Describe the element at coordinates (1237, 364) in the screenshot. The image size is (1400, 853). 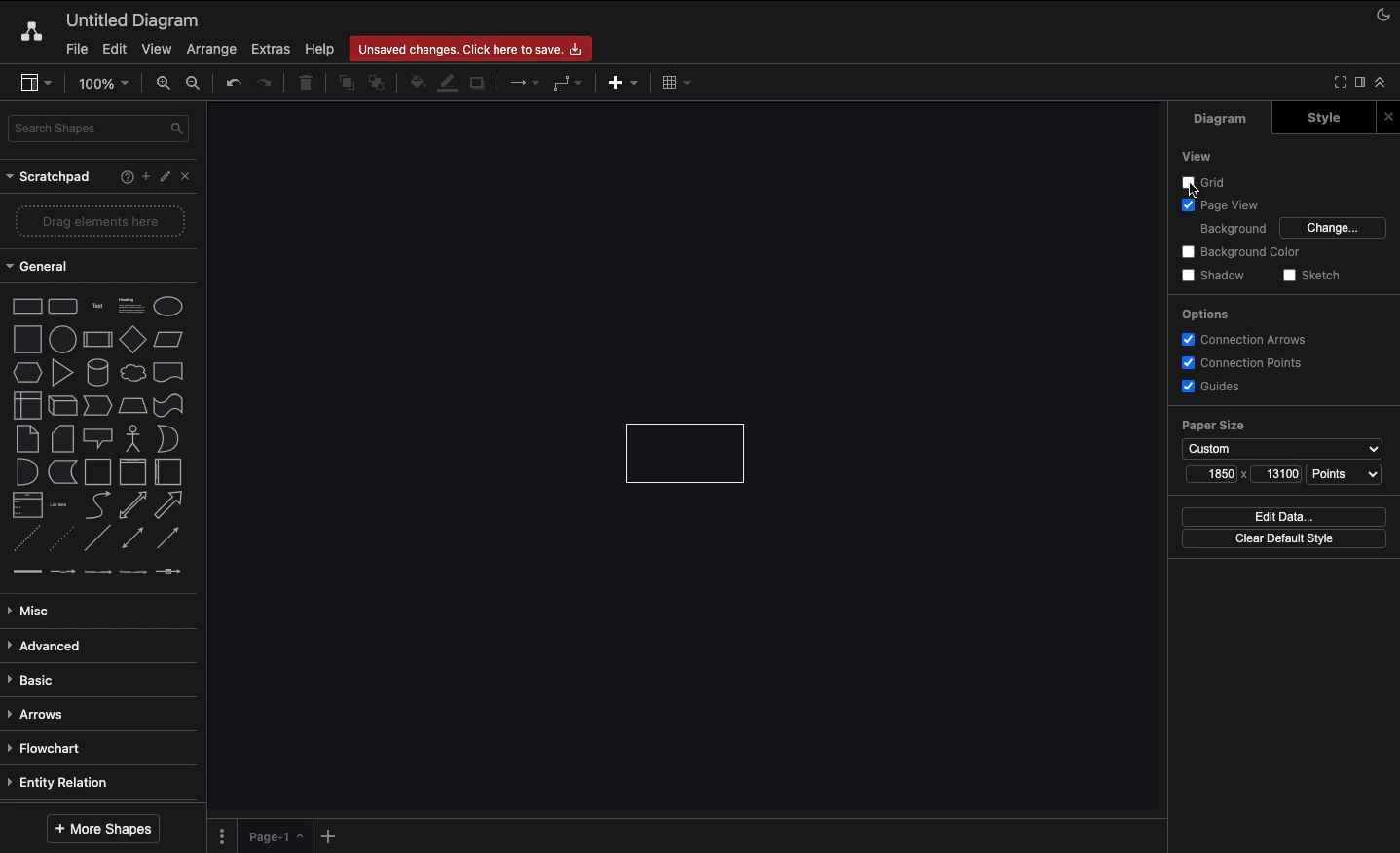
I see `Connection points` at that location.